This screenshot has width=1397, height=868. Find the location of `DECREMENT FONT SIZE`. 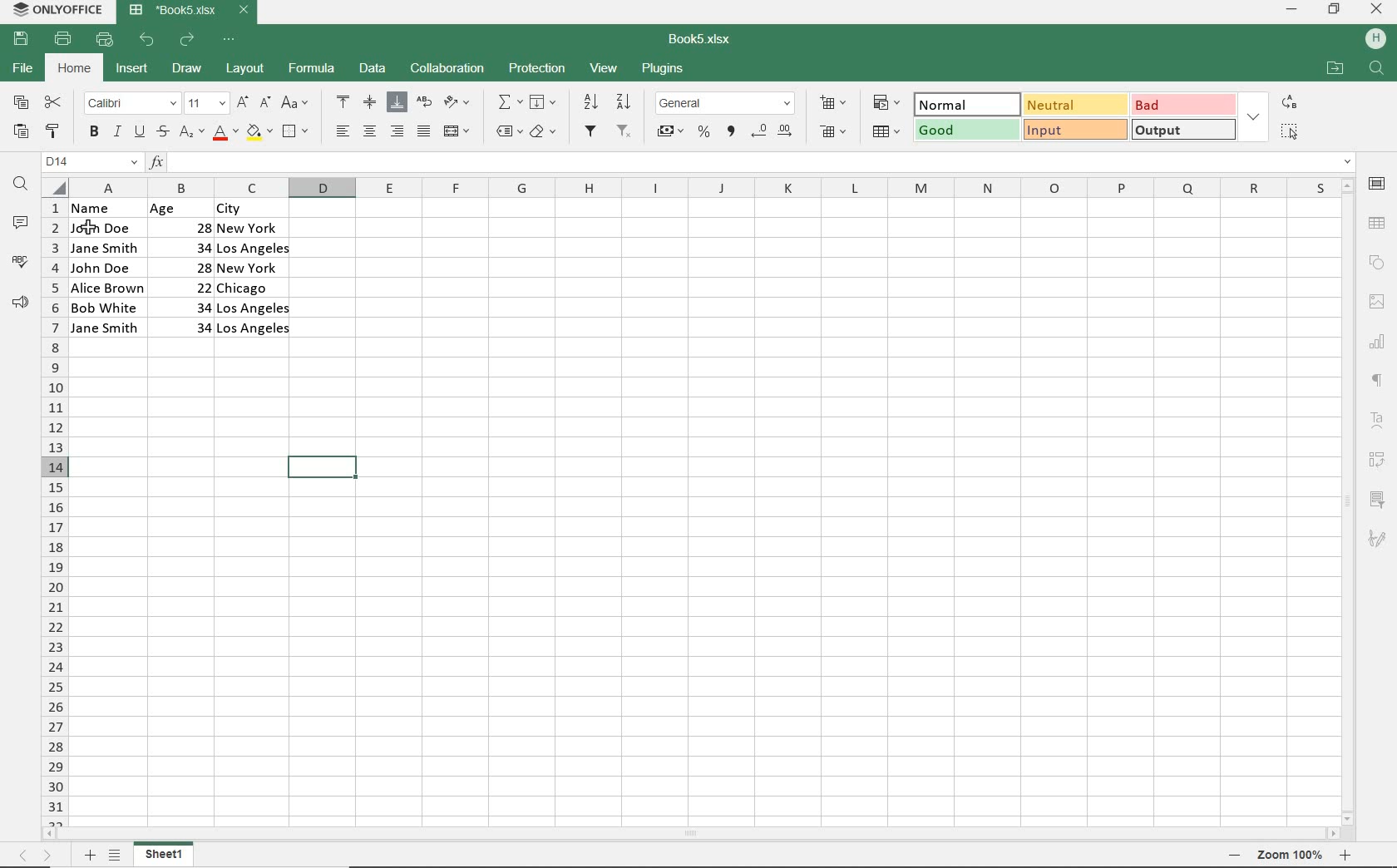

DECREMENT FONT SIZE is located at coordinates (265, 101).